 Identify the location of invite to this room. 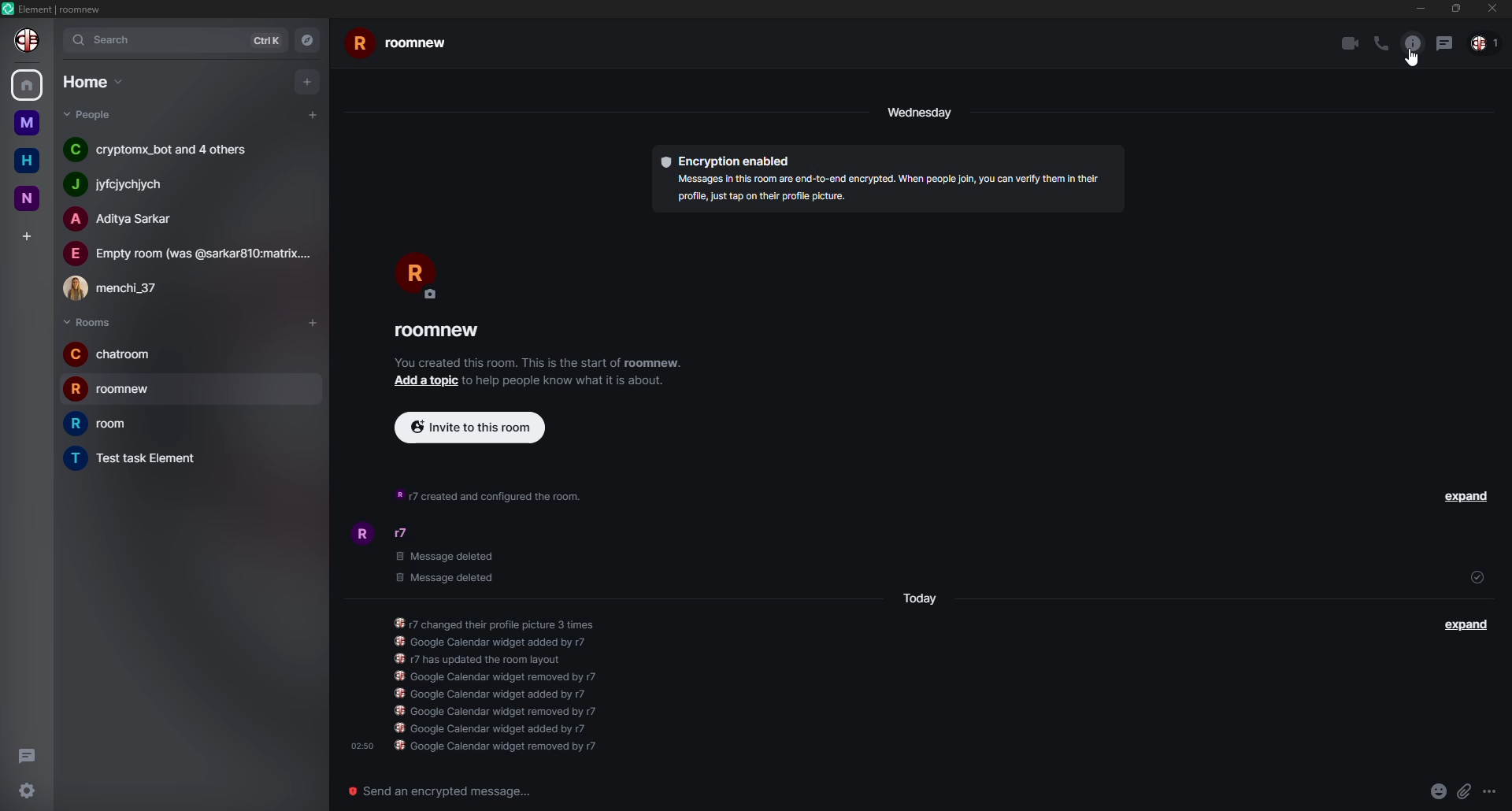
(466, 426).